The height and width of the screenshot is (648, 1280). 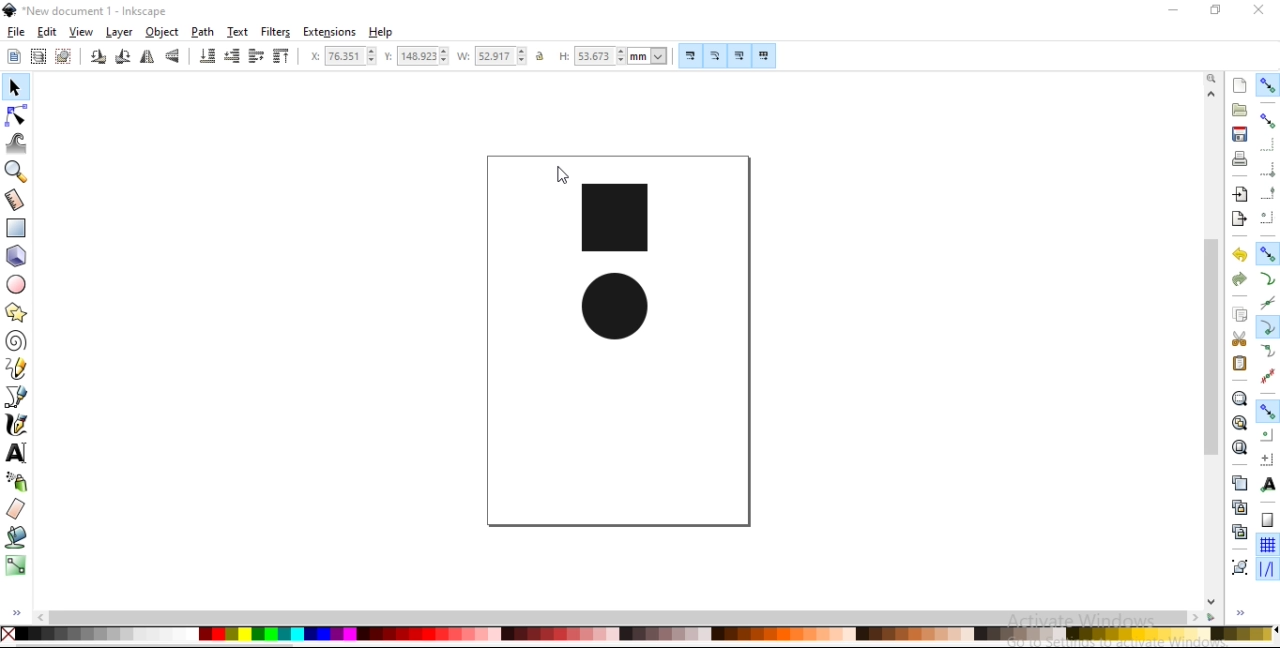 I want to click on group objects, so click(x=1238, y=567).